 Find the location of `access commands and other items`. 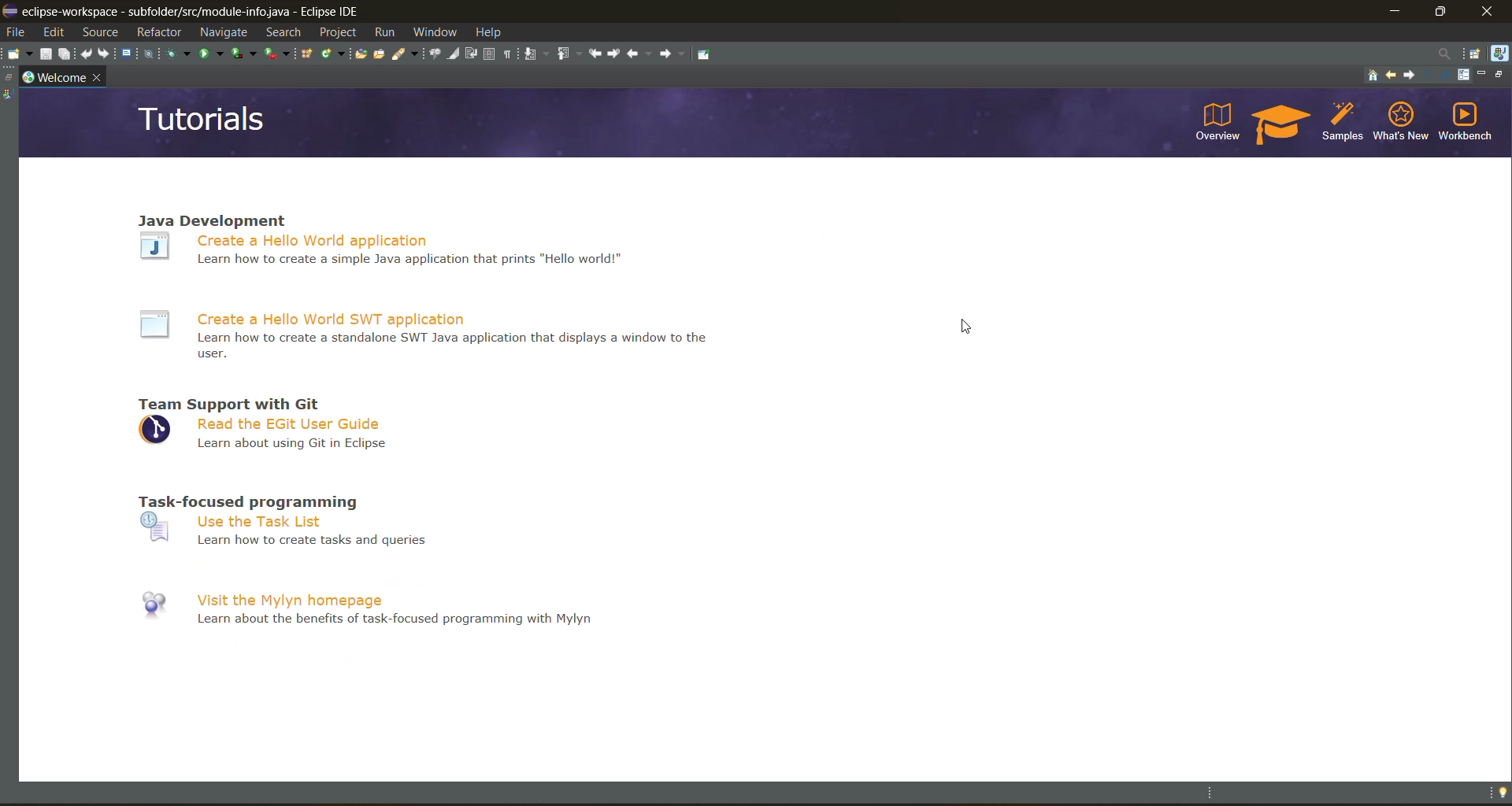

access commands and other items is located at coordinates (1445, 53).